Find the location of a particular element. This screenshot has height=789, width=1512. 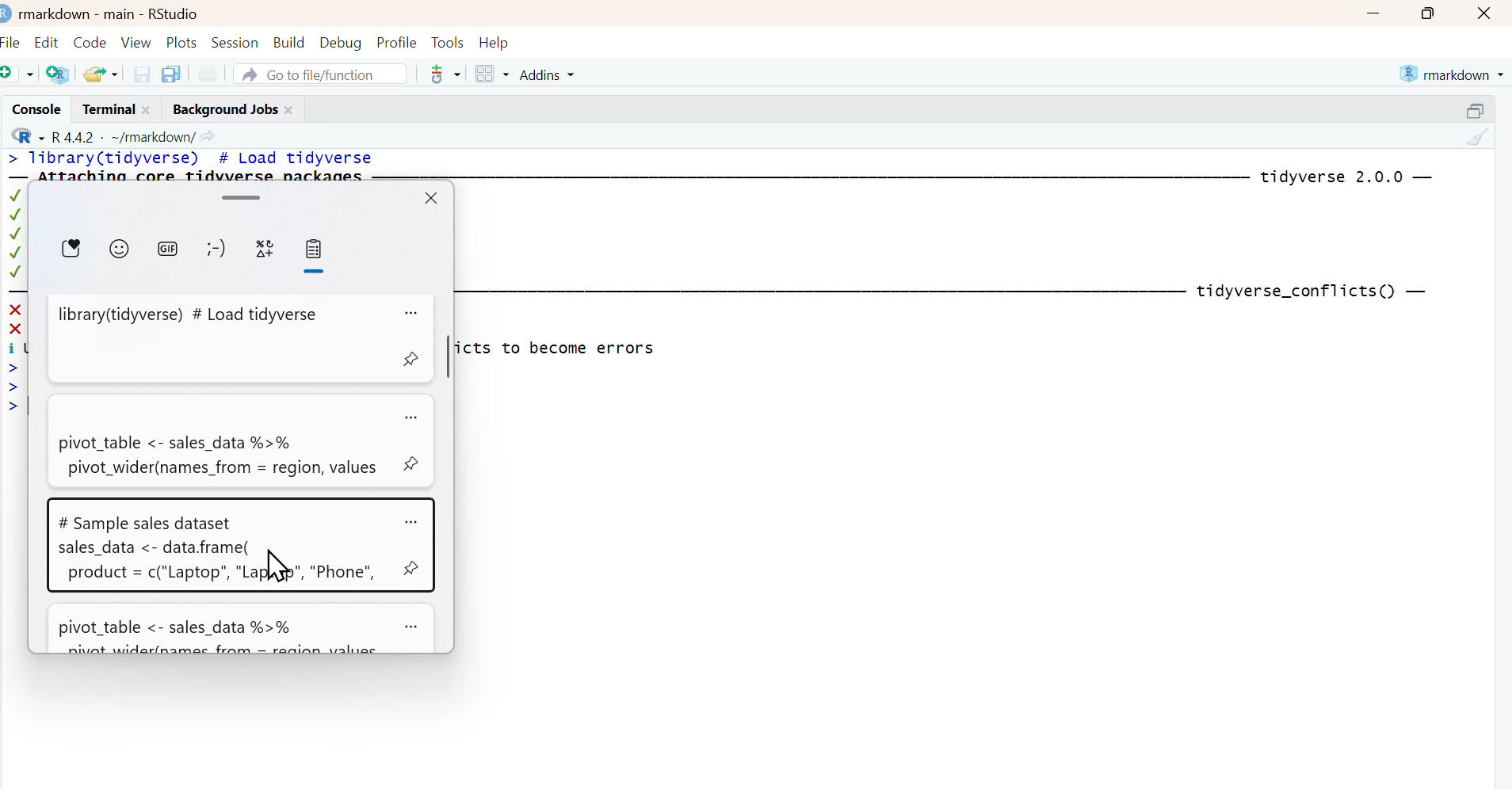

options is located at coordinates (414, 417).